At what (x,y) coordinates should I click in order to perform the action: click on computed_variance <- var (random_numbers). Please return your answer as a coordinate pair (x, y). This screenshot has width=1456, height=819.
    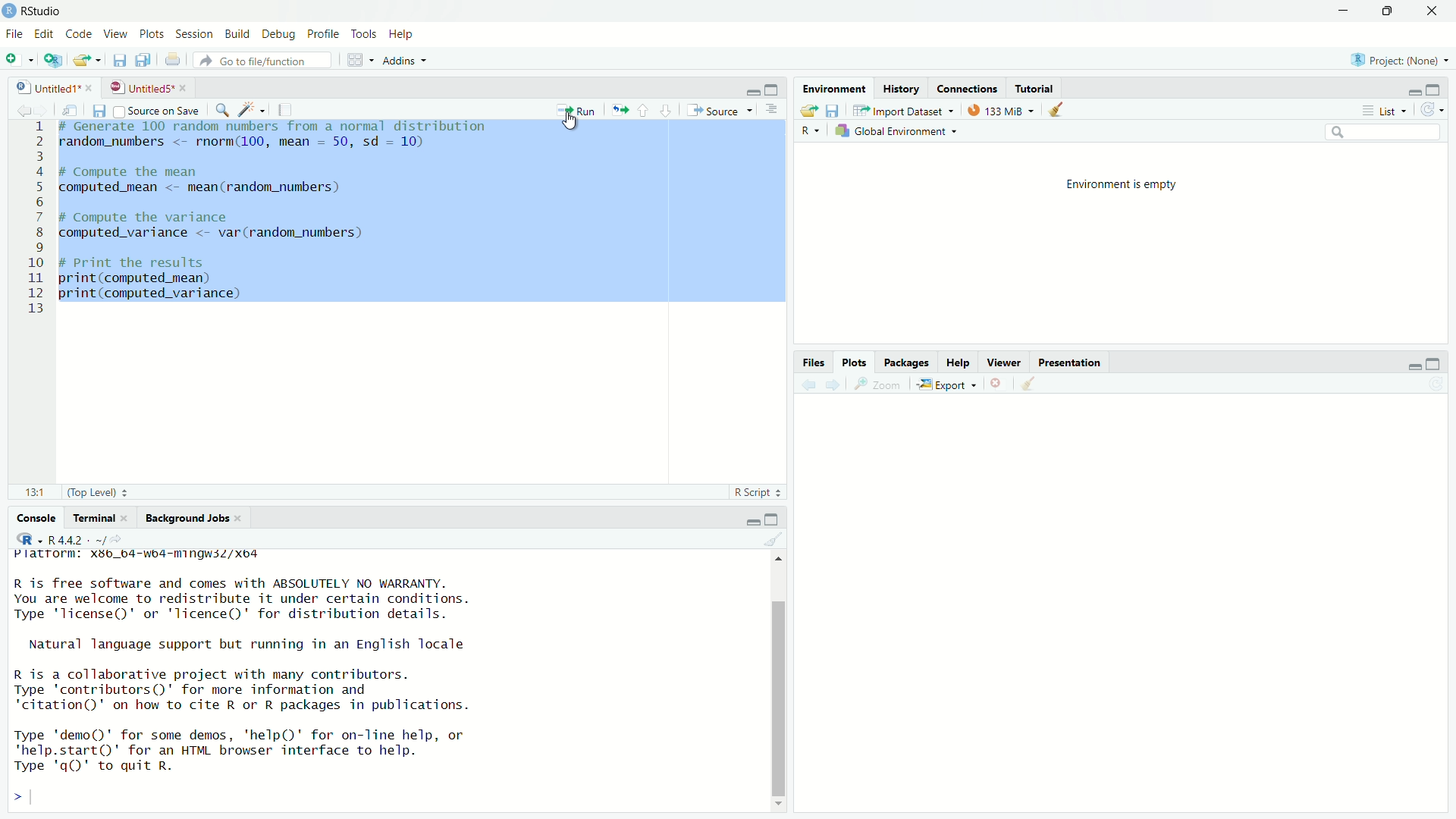
    Looking at the image, I should click on (227, 232).